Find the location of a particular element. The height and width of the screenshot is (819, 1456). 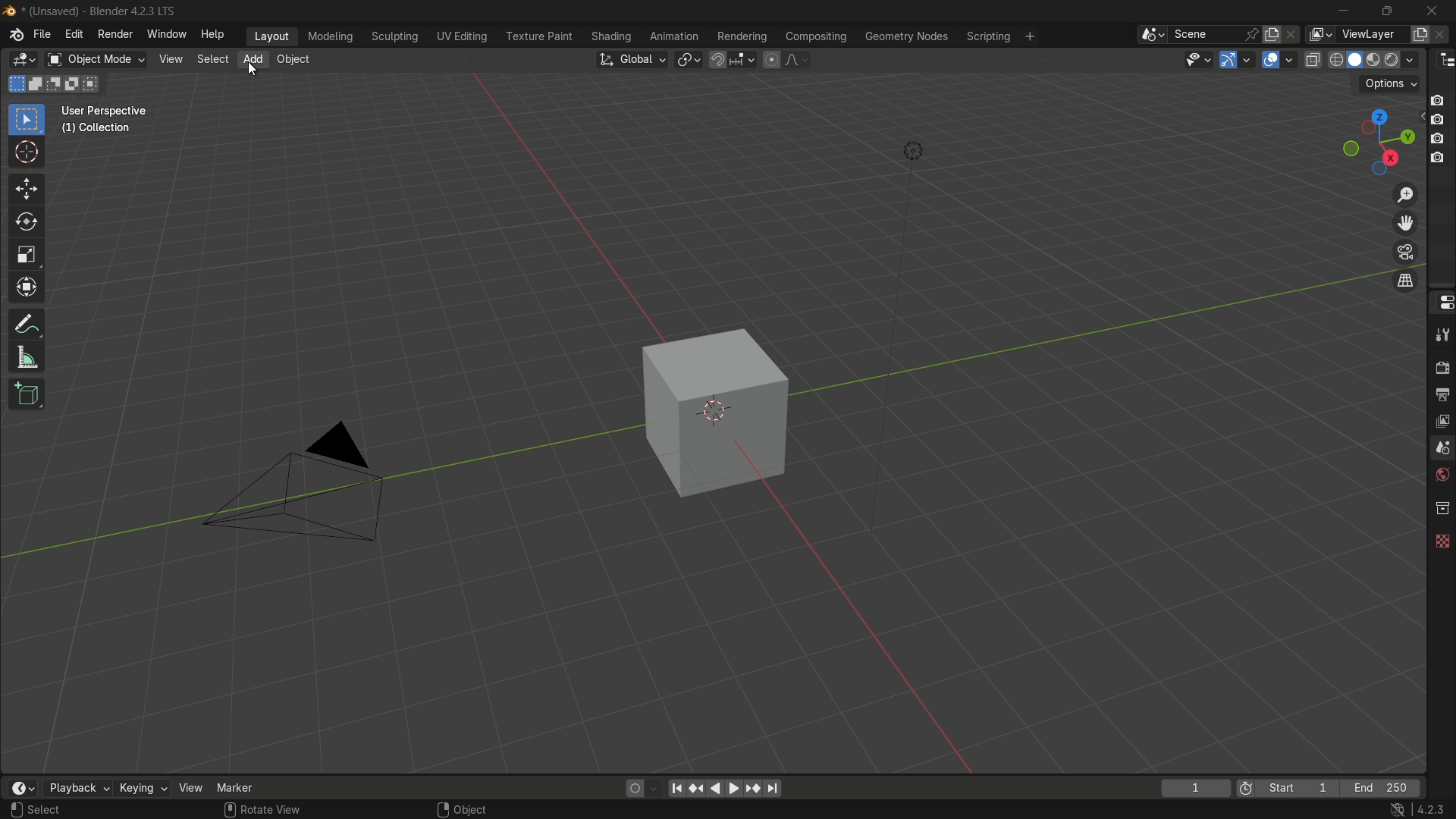

file menu is located at coordinates (42, 35).